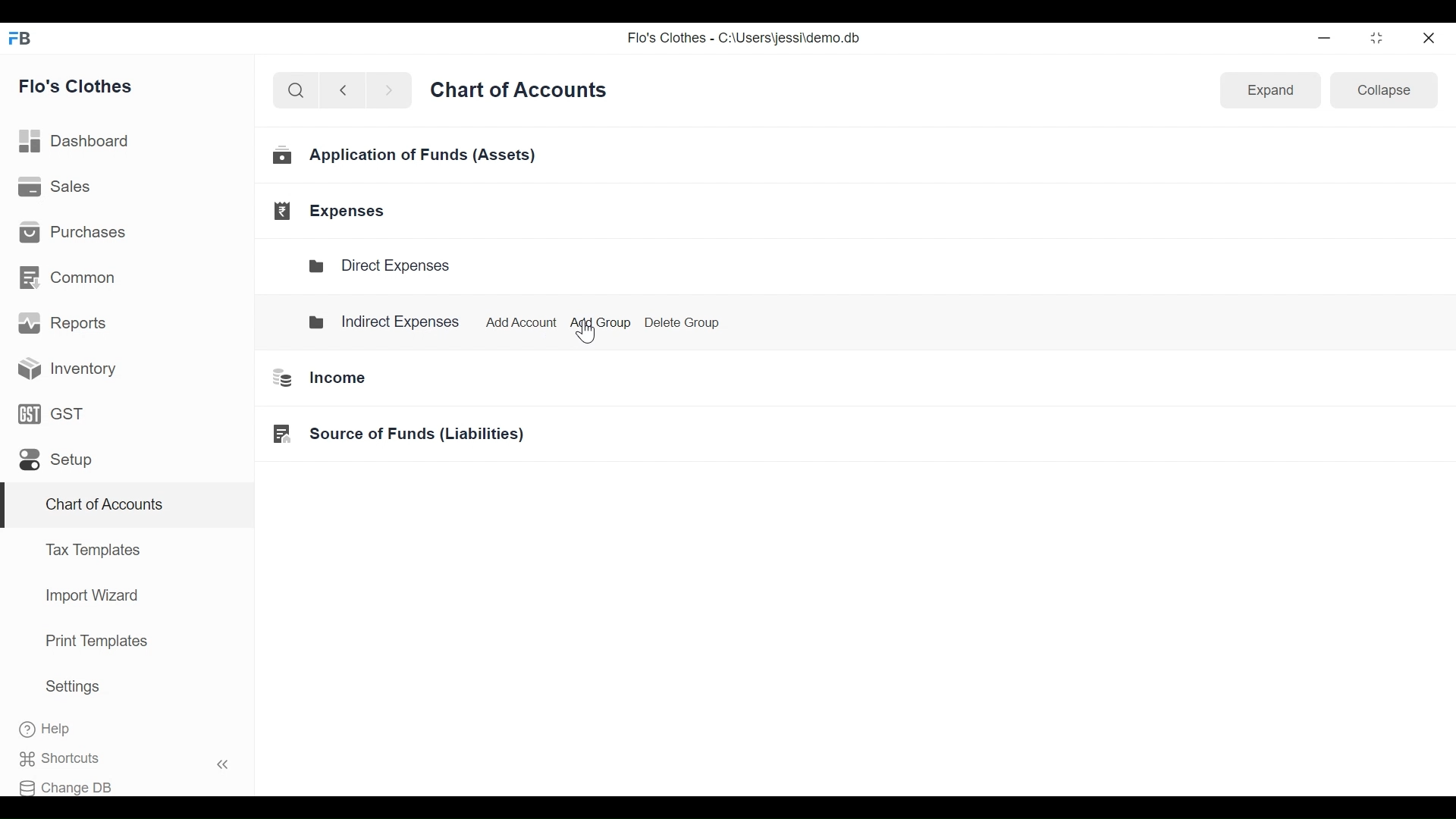 The height and width of the screenshot is (819, 1456). What do you see at coordinates (101, 507) in the screenshot?
I see `Chart of Accounts` at bounding box center [101, 507].